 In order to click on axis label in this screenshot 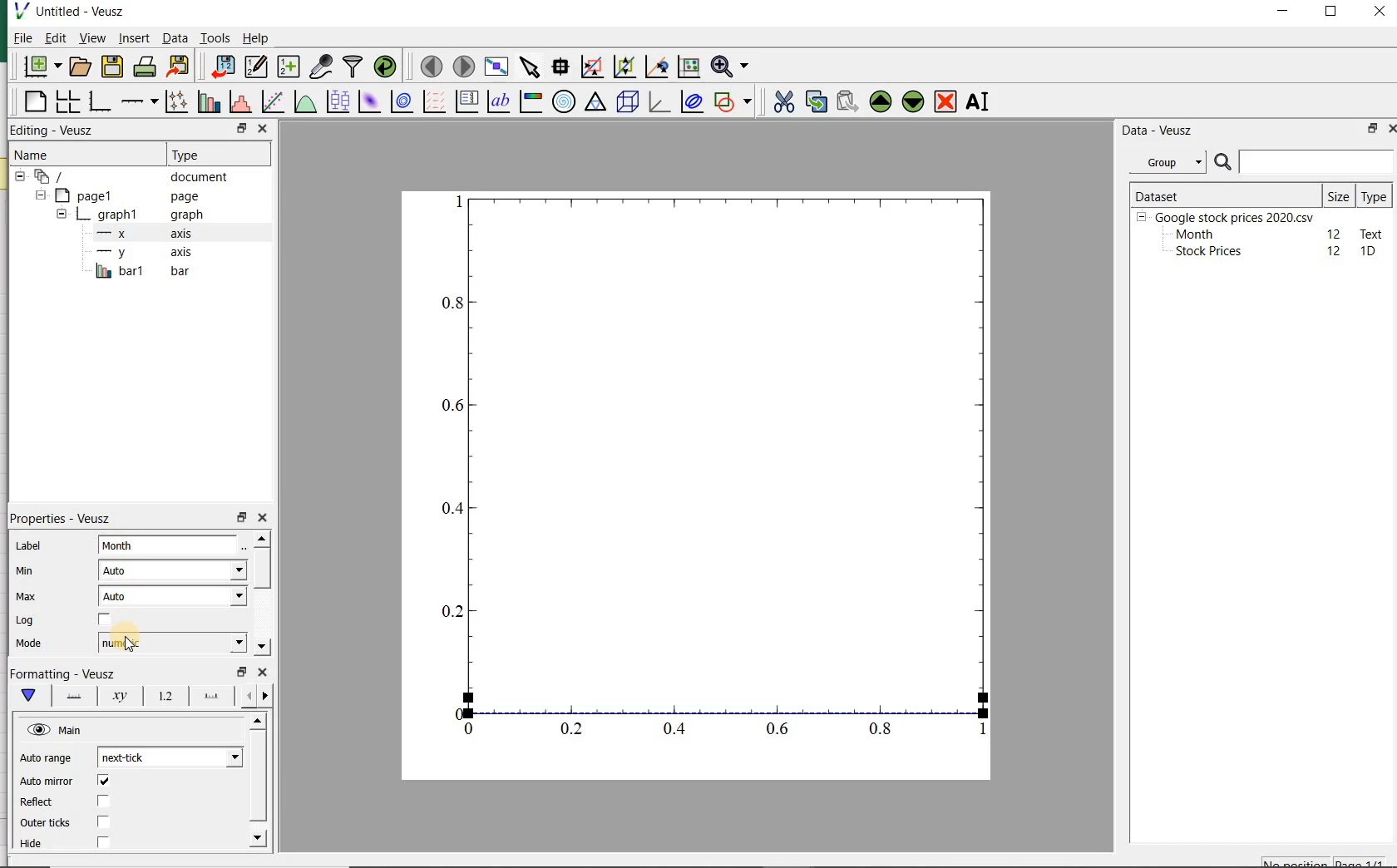, I will do `click(117, 695)`.